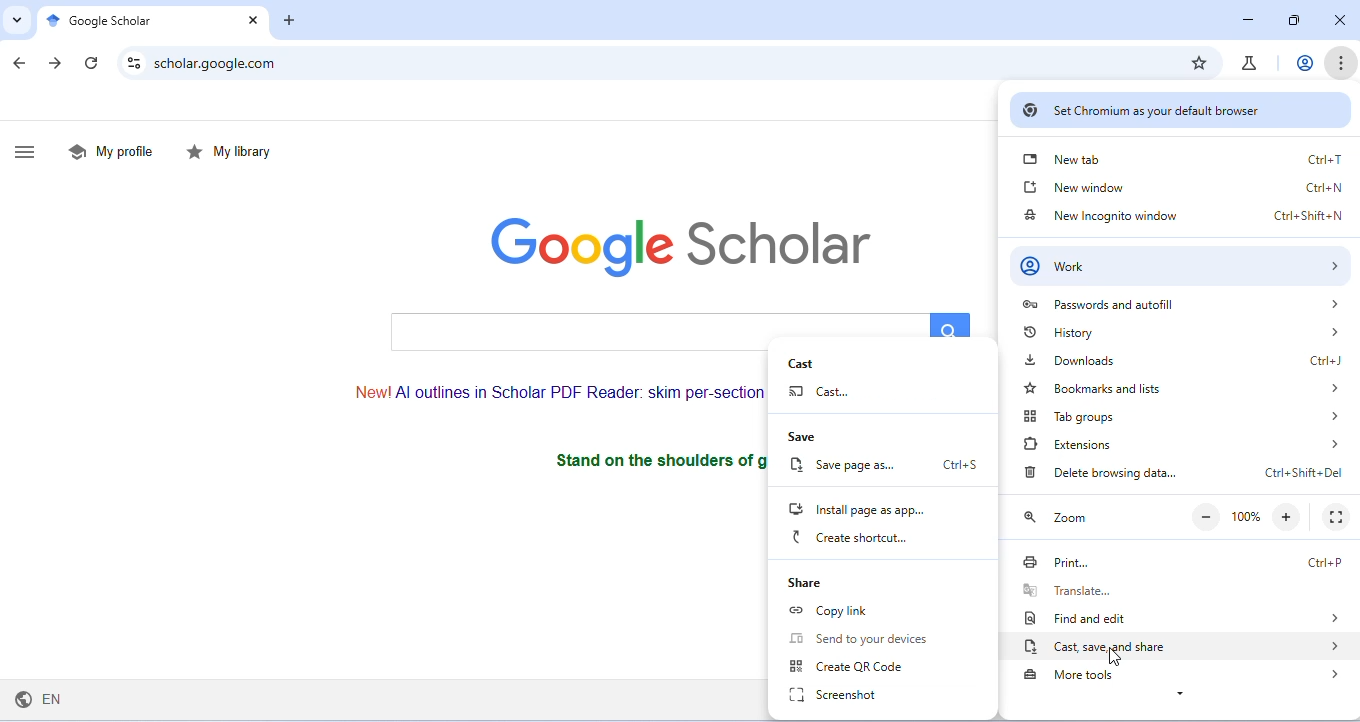  What do you see at coordinates (1200, 518) in the screenshot?
I see `zoom out` at bounding box center [1200, 518].